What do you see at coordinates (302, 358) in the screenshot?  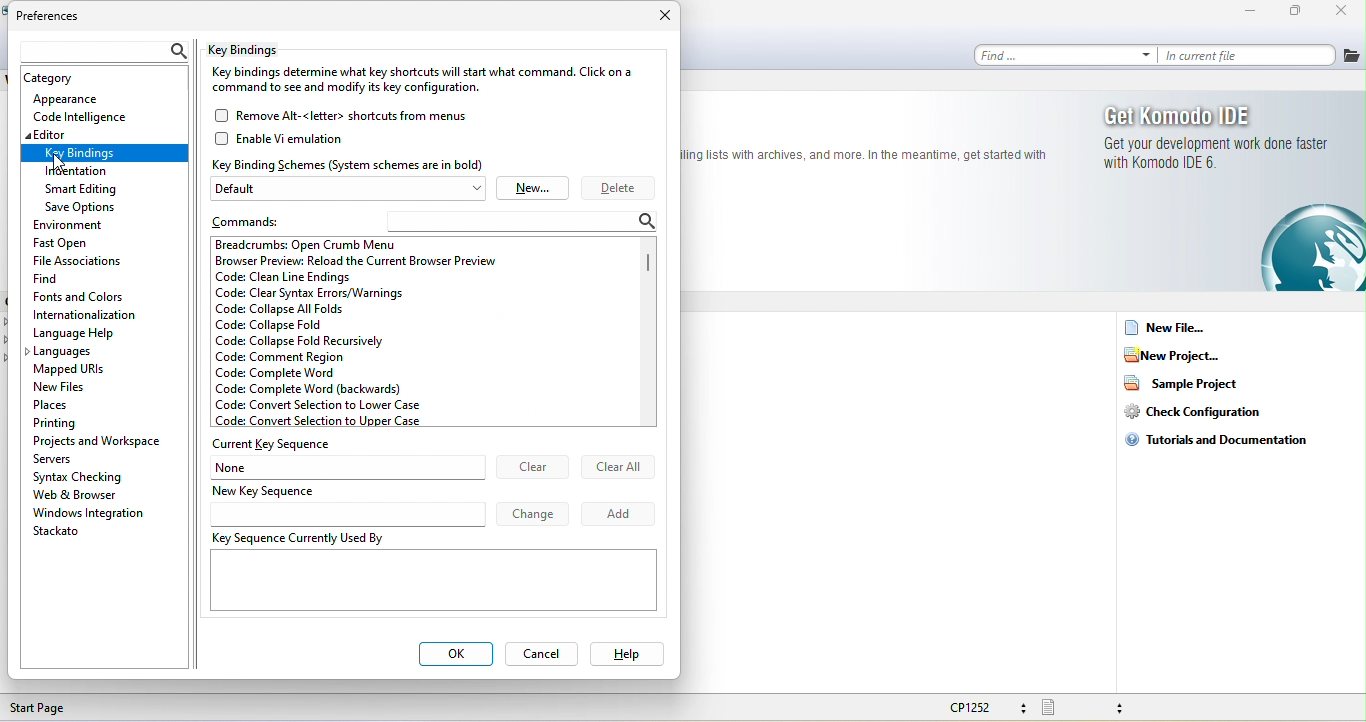 I see `code comment region` at bounding box center [302, 358].